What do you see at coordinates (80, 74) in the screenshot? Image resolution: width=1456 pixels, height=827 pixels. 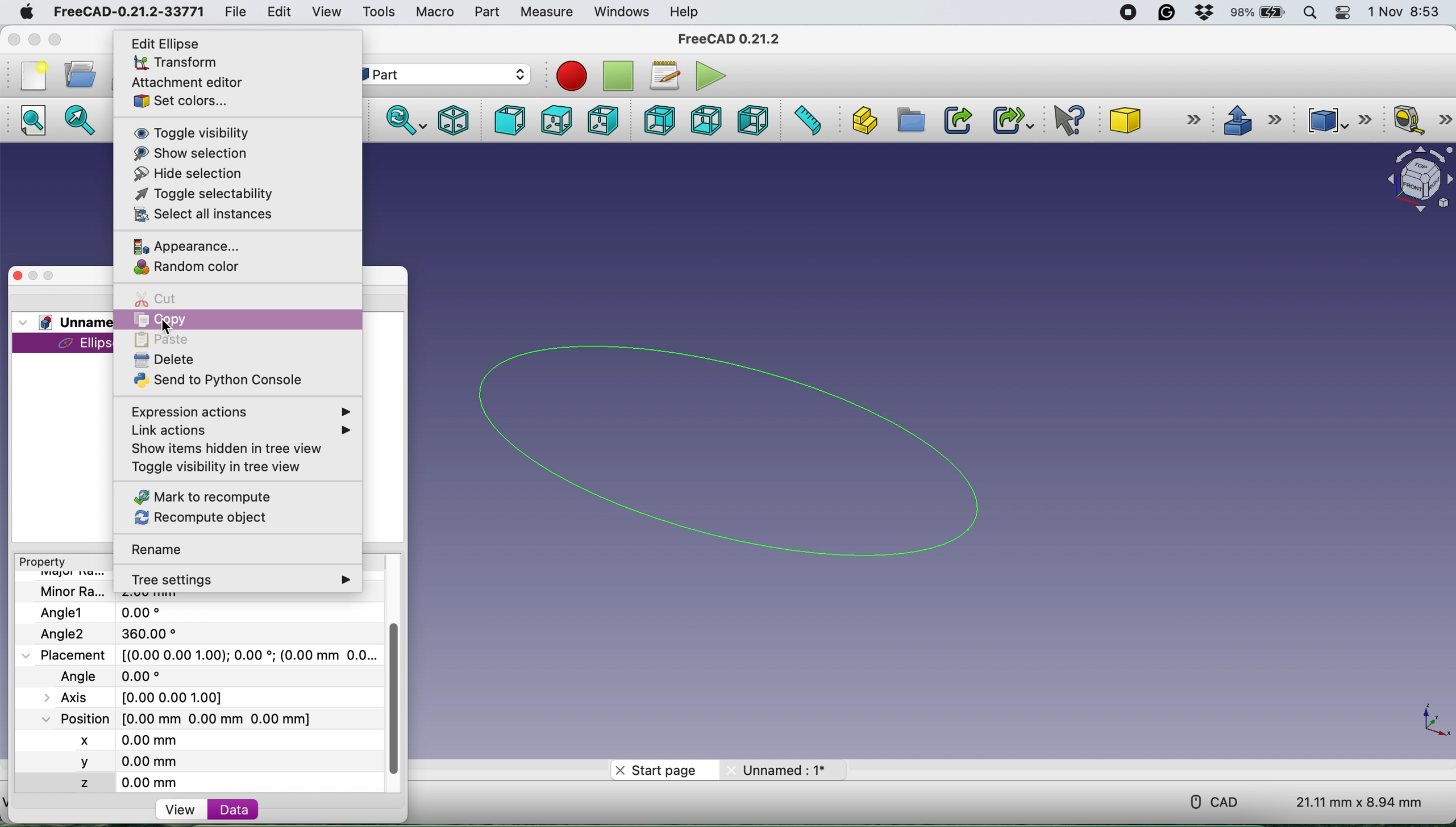 I see `open` at bounding box center [80, 74].